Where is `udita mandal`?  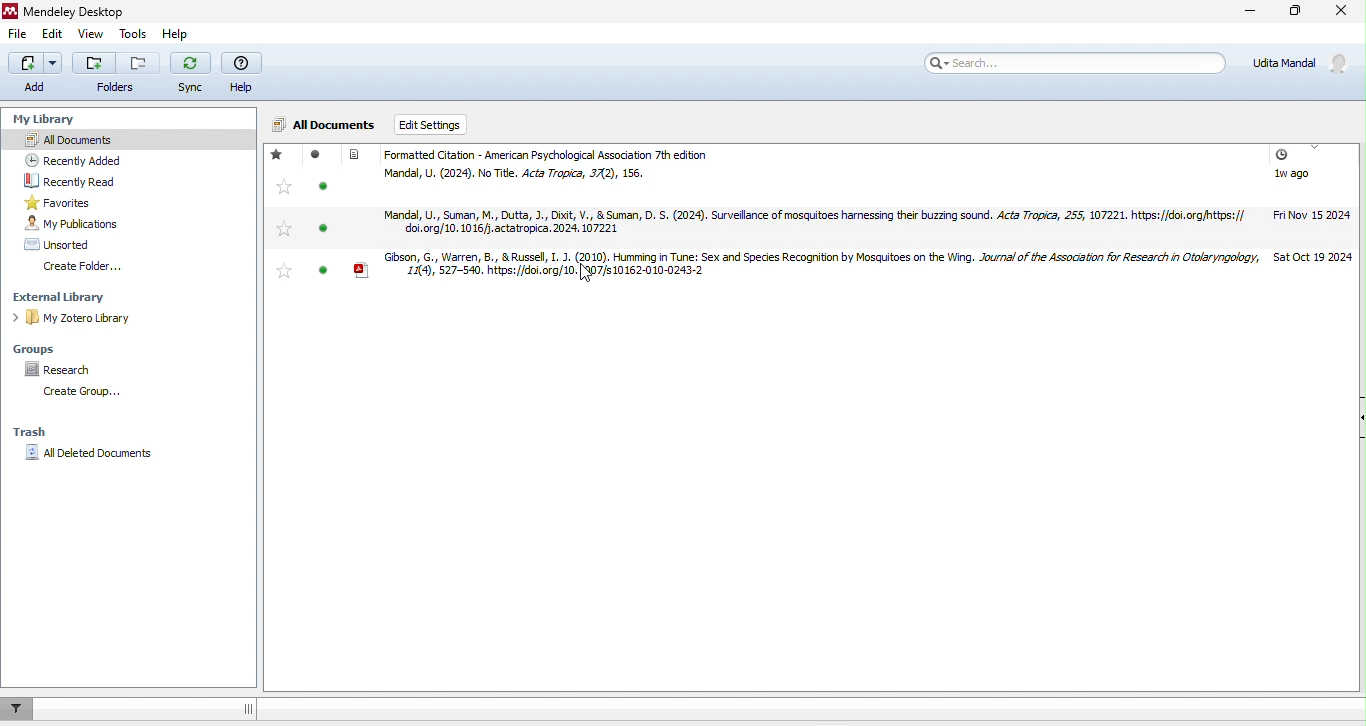
udita mandal is located at coordinates (1305, 64).